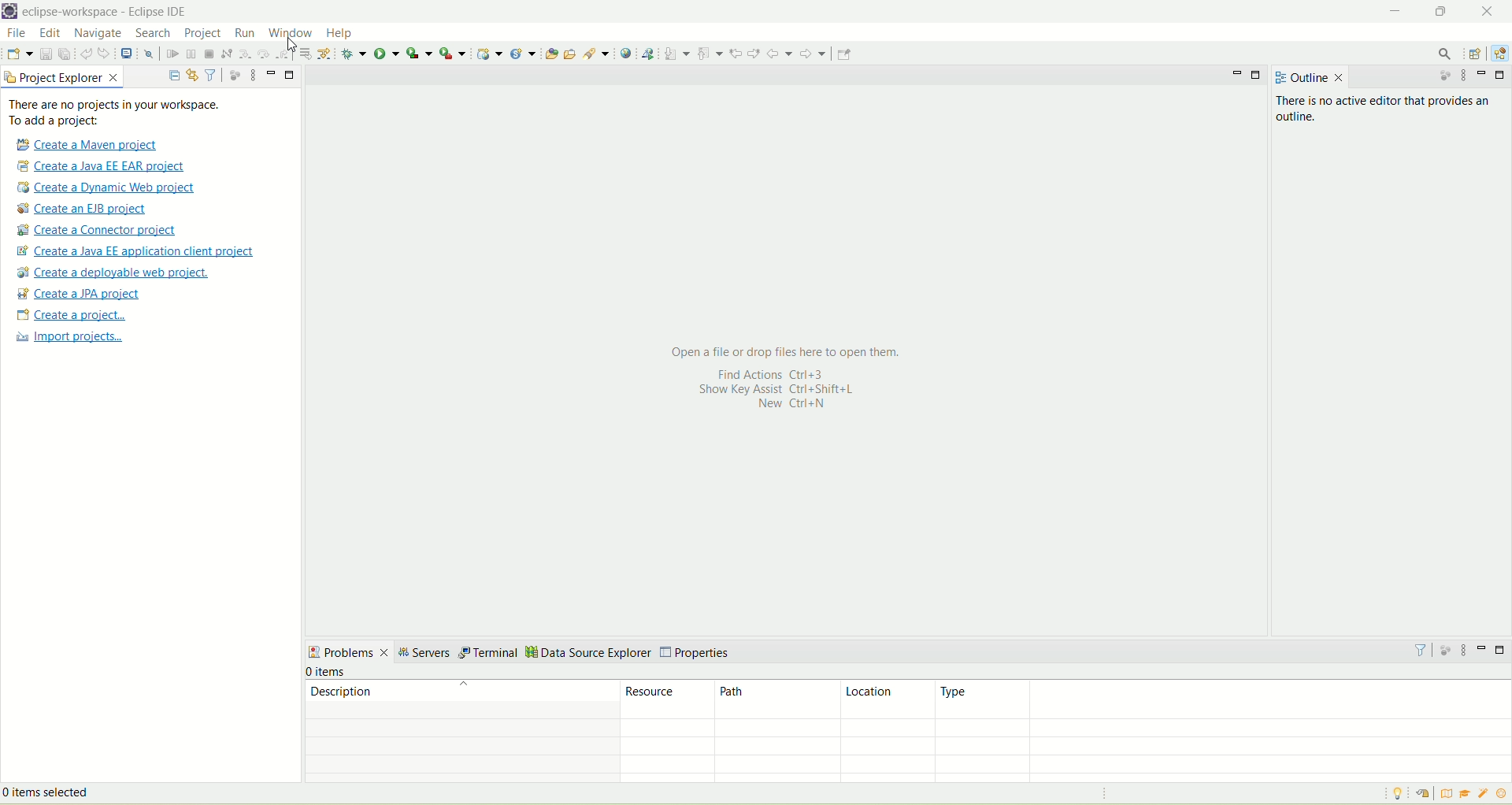 The height and width of the screenshot is (805, 1512). I want to click on terminal, so click(488, 653).